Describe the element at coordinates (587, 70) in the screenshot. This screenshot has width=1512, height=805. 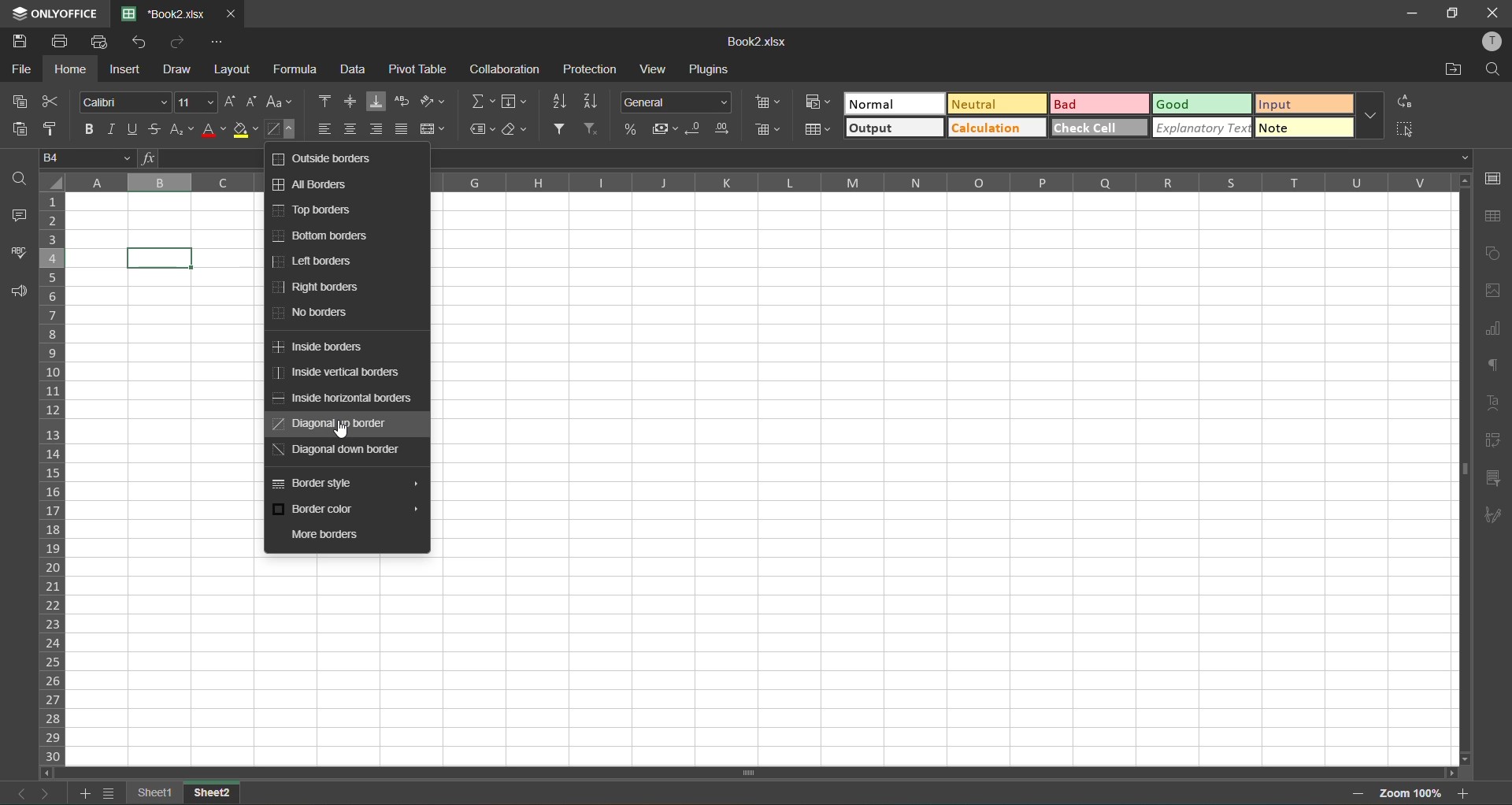
I see `protection` at that location.